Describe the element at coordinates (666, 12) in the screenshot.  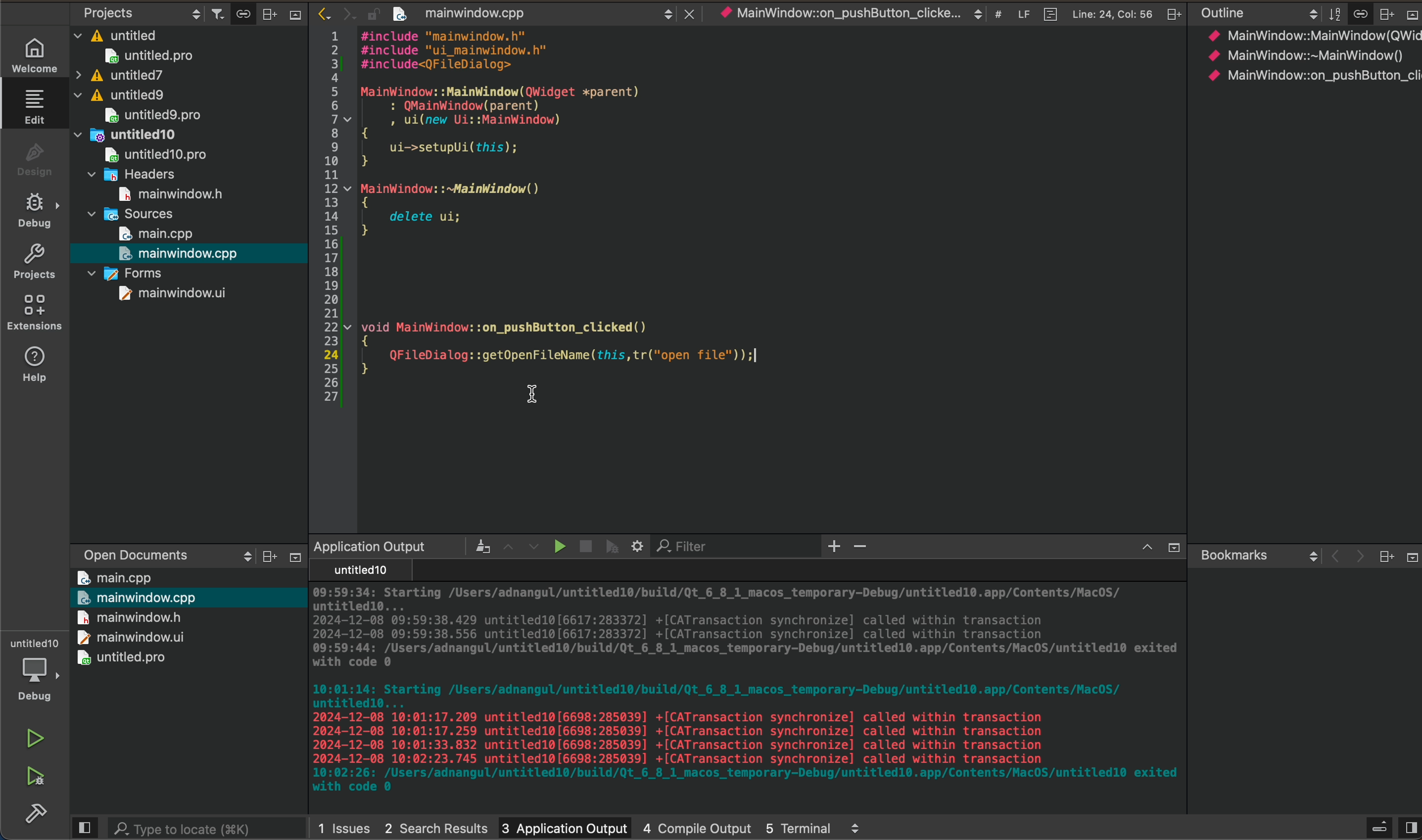
I see `Scroll` at that location.